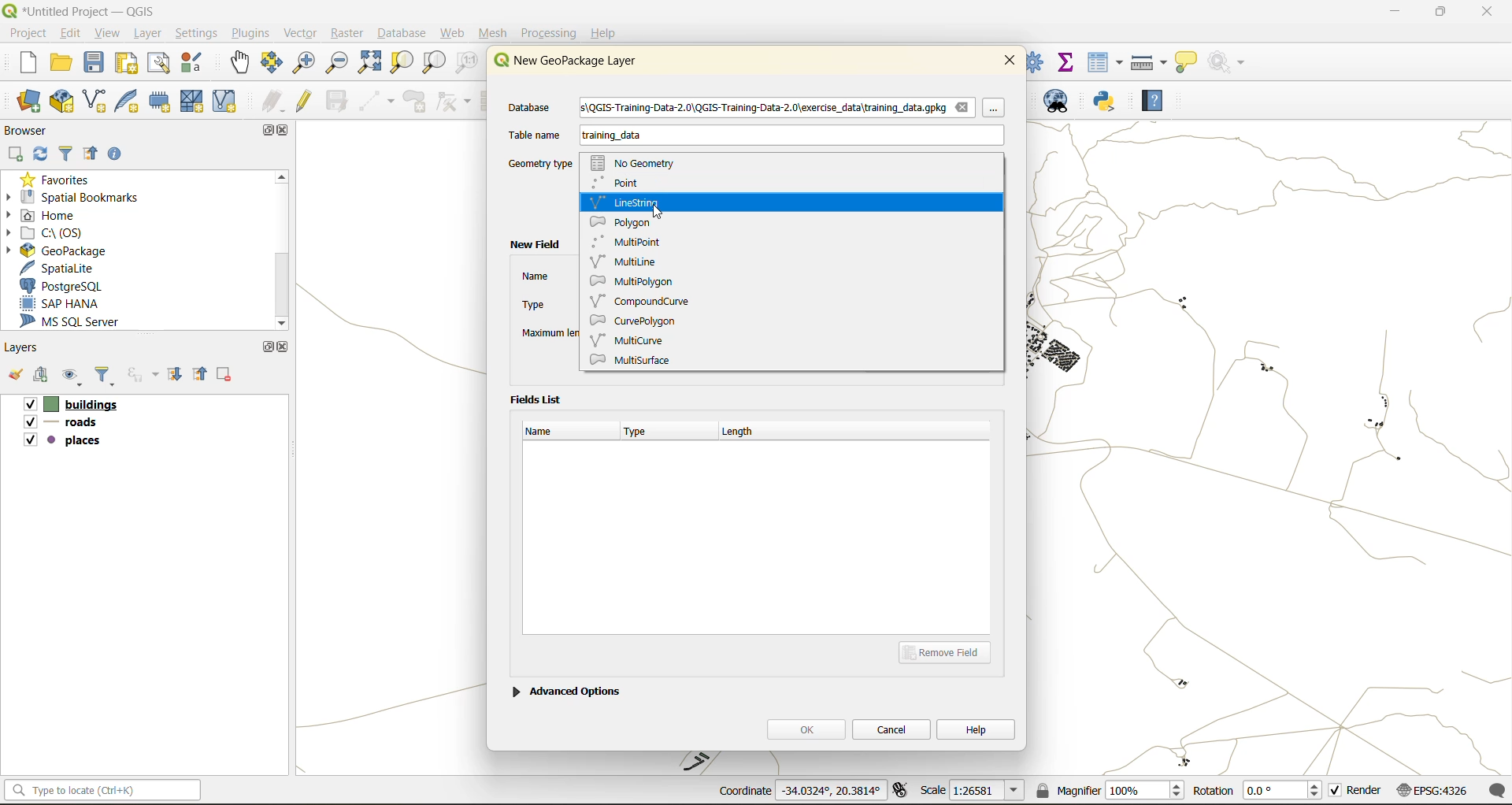  What do you see at coordinates (62, 65) in the screenshot?
I see `open` at bounding box center [62, 65].